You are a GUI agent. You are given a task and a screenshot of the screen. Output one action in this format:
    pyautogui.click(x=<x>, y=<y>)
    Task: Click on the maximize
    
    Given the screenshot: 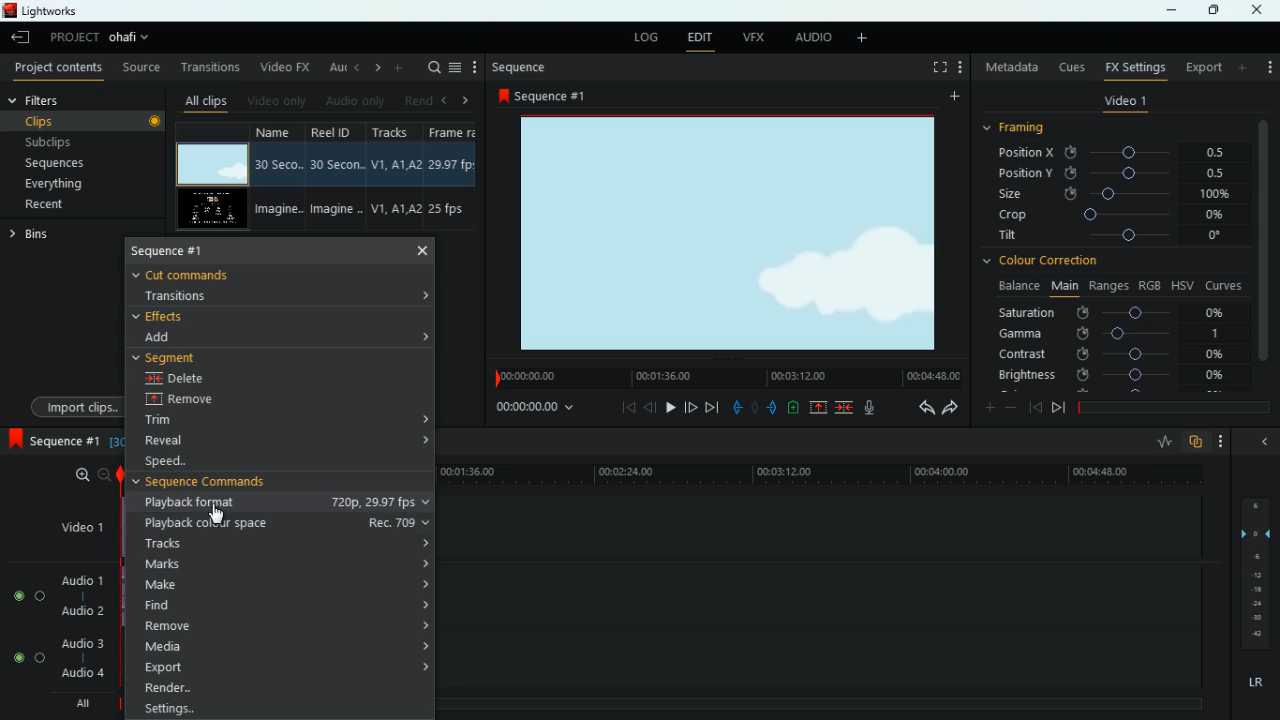 What is the action you would take?
    pyautogui.click(x=1212, y=10)
    